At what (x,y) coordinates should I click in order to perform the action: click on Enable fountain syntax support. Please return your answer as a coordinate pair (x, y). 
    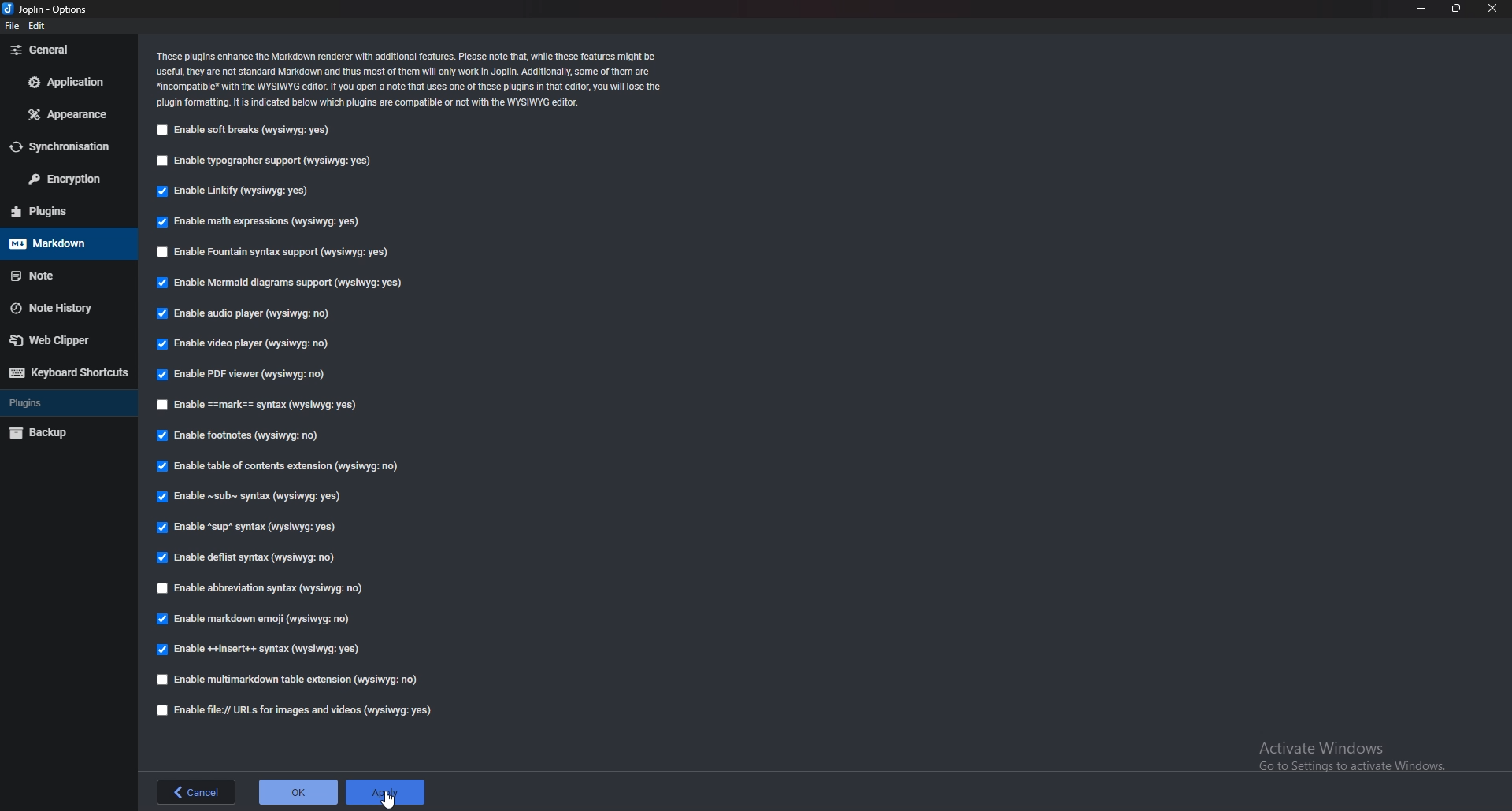
    Looking at the image, I should click on (275, 254).